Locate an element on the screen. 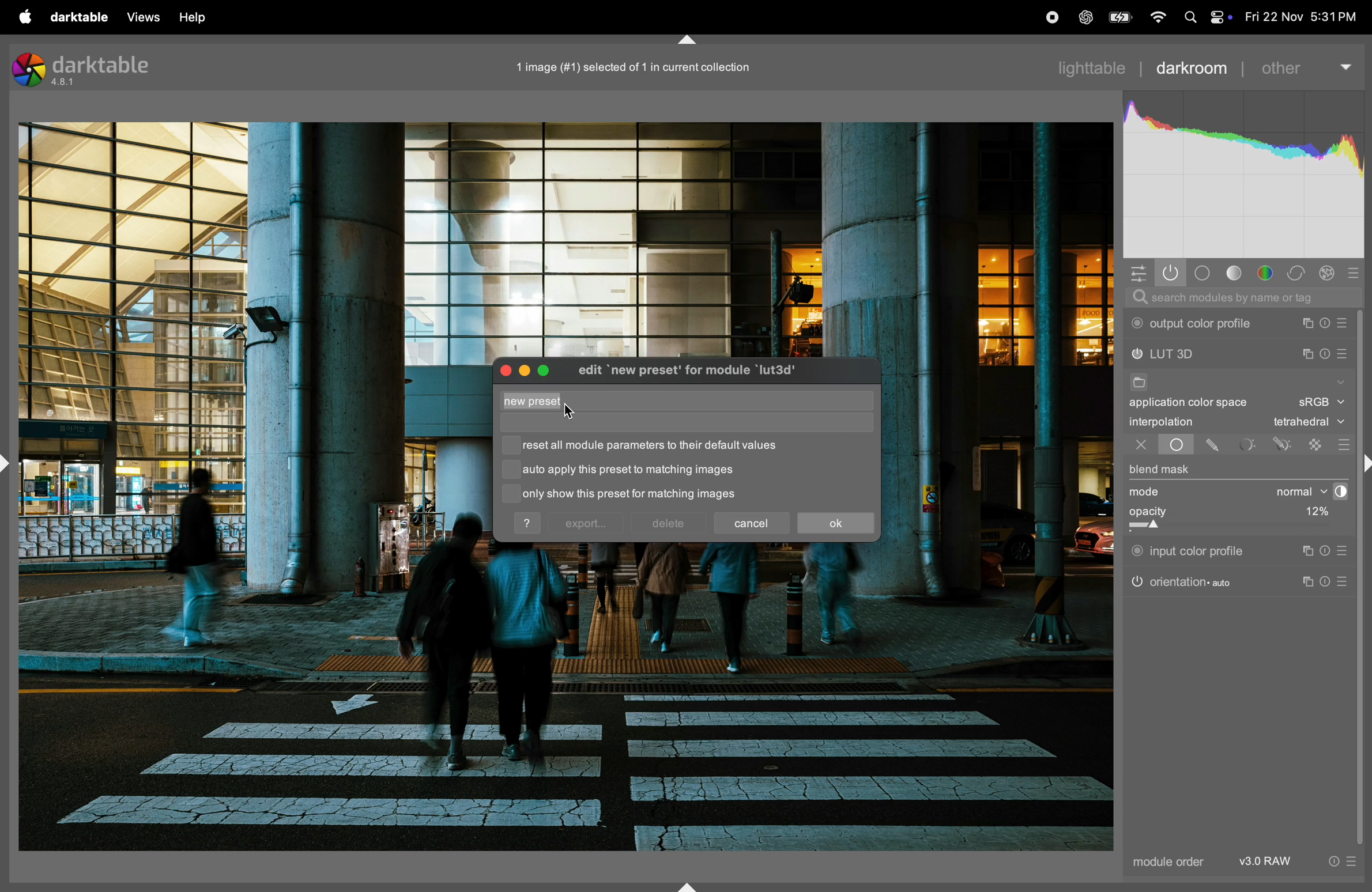  record is located at coordinates (1048, 18).